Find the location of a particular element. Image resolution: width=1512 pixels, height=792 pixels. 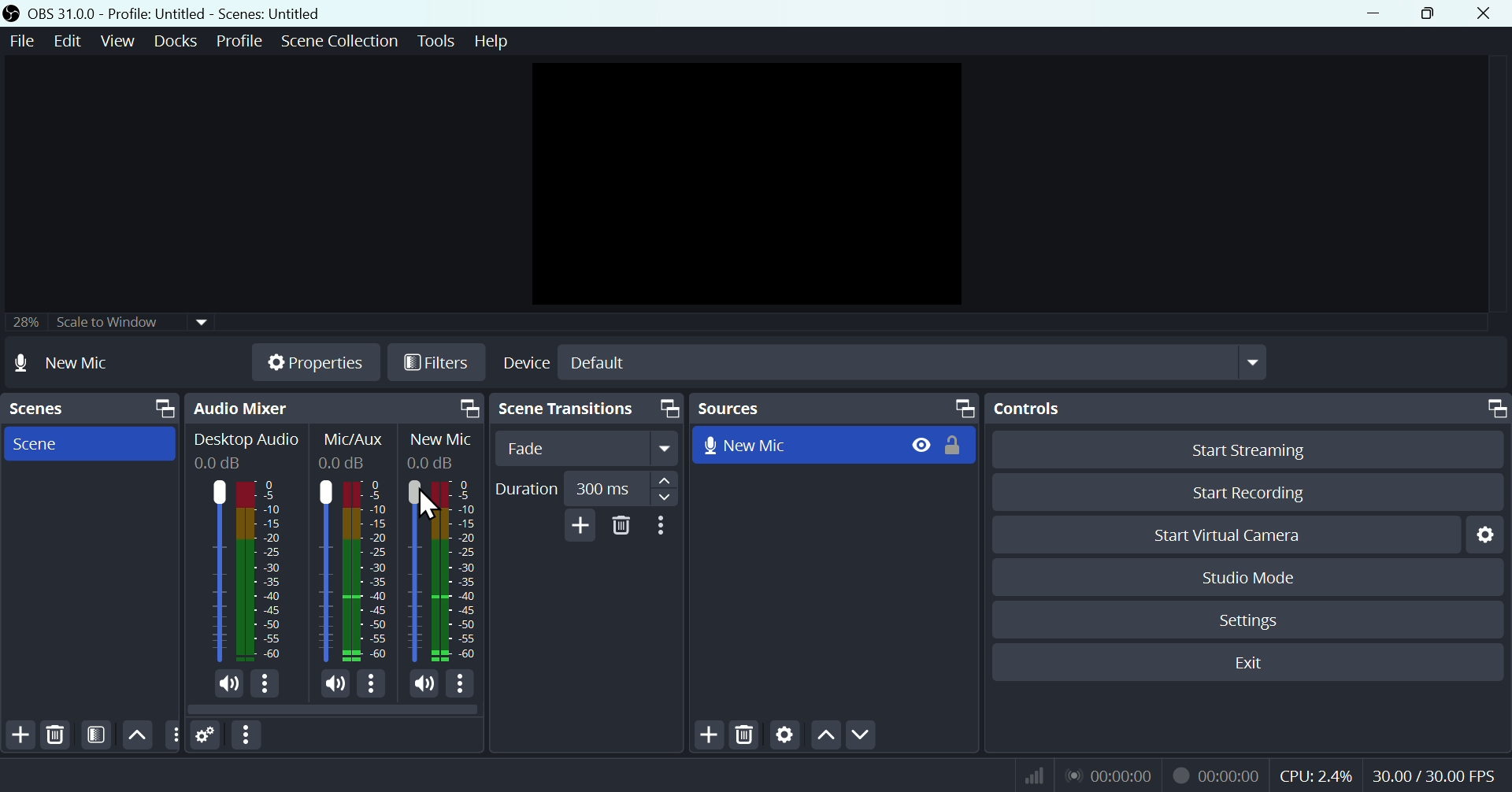

No source selected is located at coordinates (80, 362).